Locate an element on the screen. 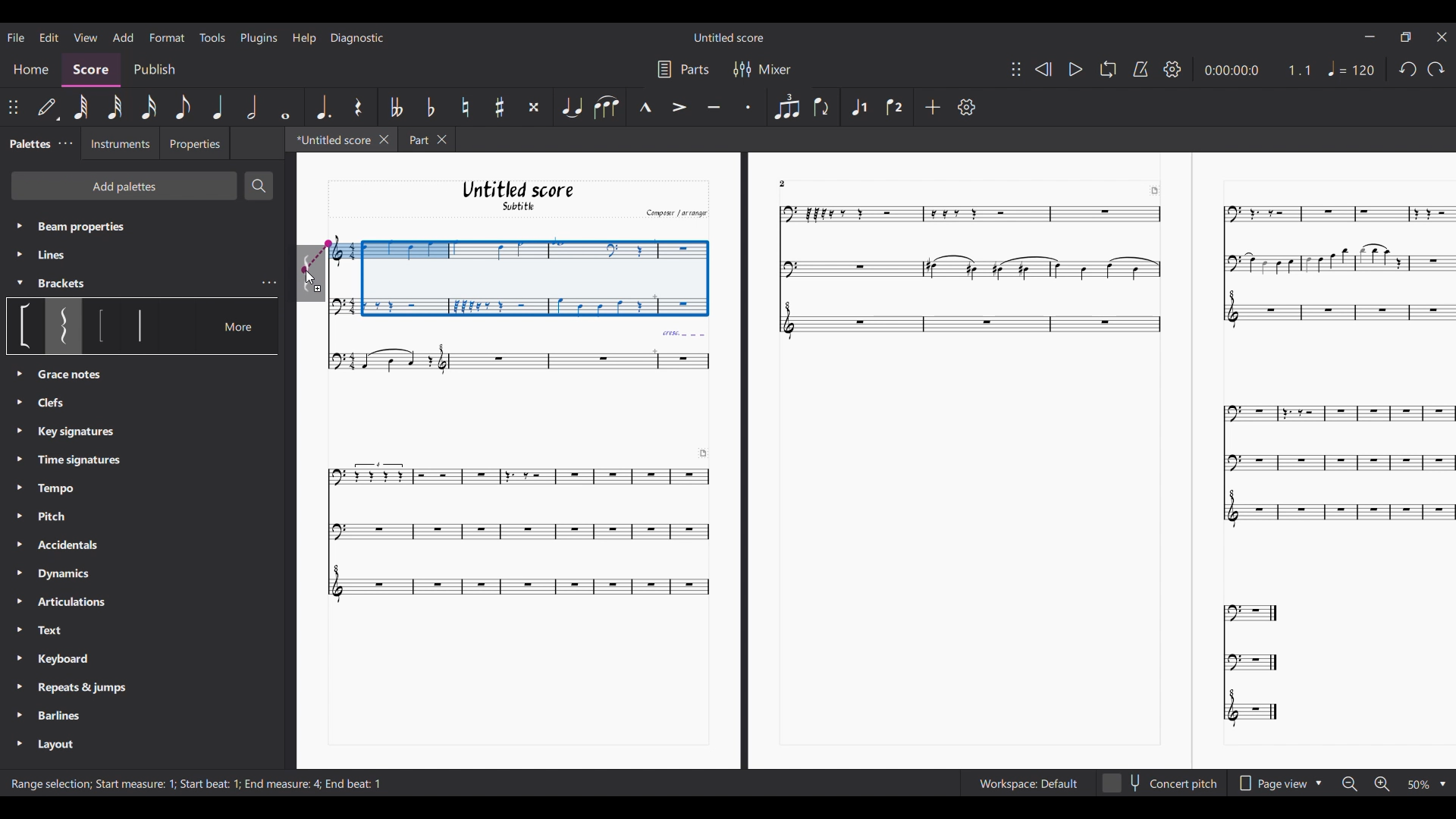 Image resolution: width=1456 pixels, height=819 pixels.  is located at coordinates (1250, 613).